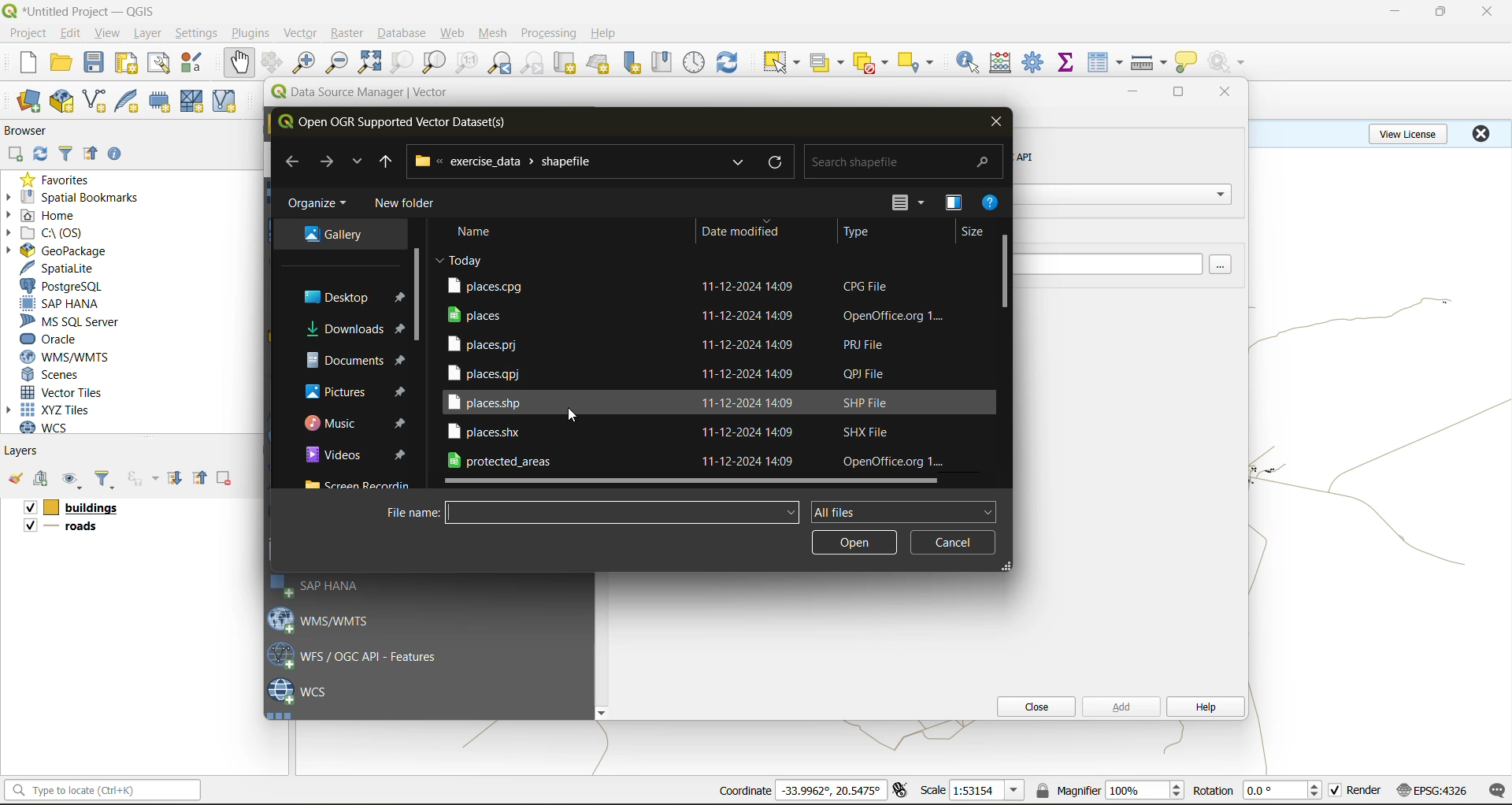 The image size is (1512, 805). Describe the element at coordinates (354, 330) in the screenshot. I see `folder explorer` at that location.